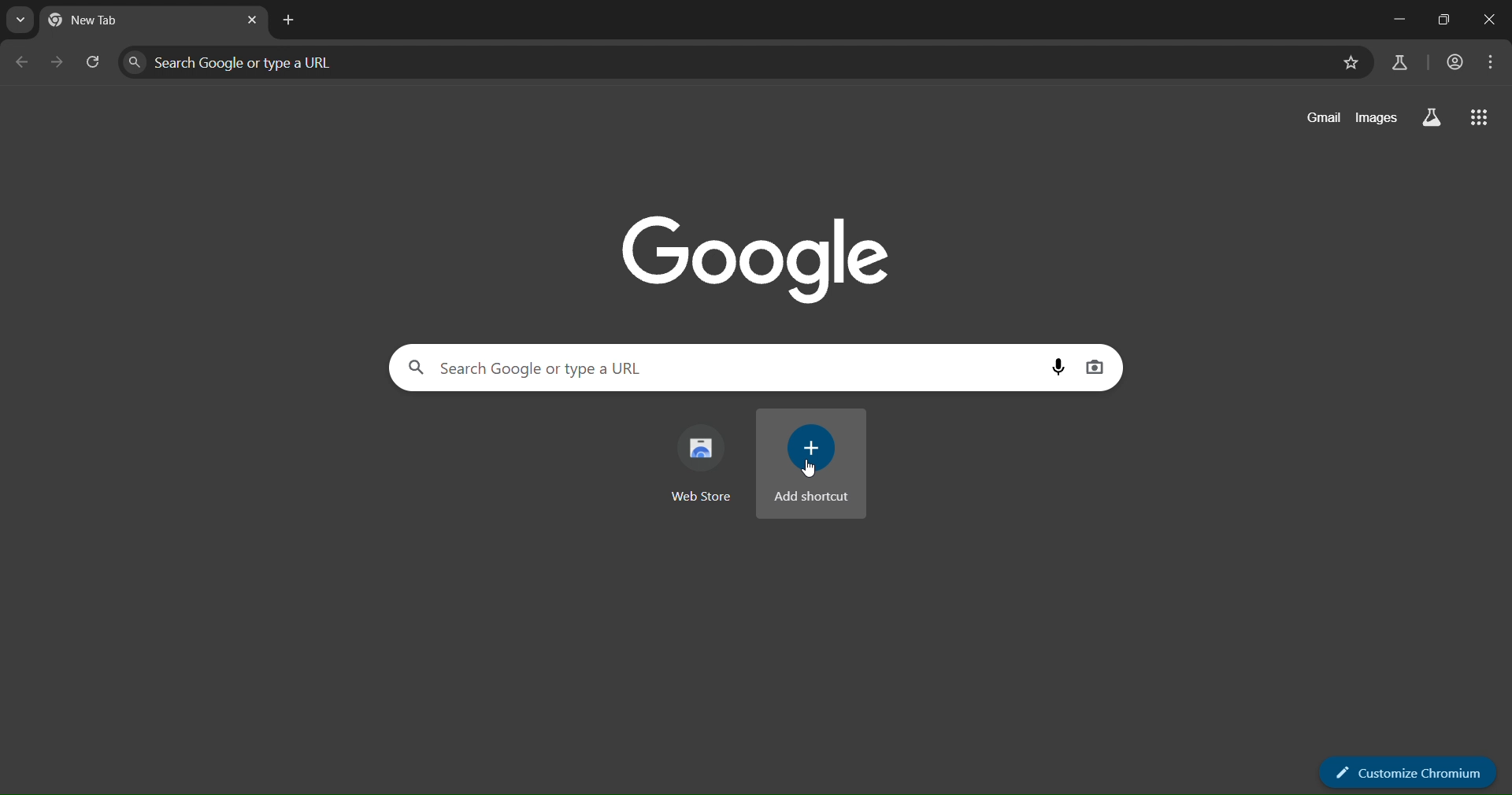 The image size is (1512, 795). I want to click on search labs, so click(1398, 62).